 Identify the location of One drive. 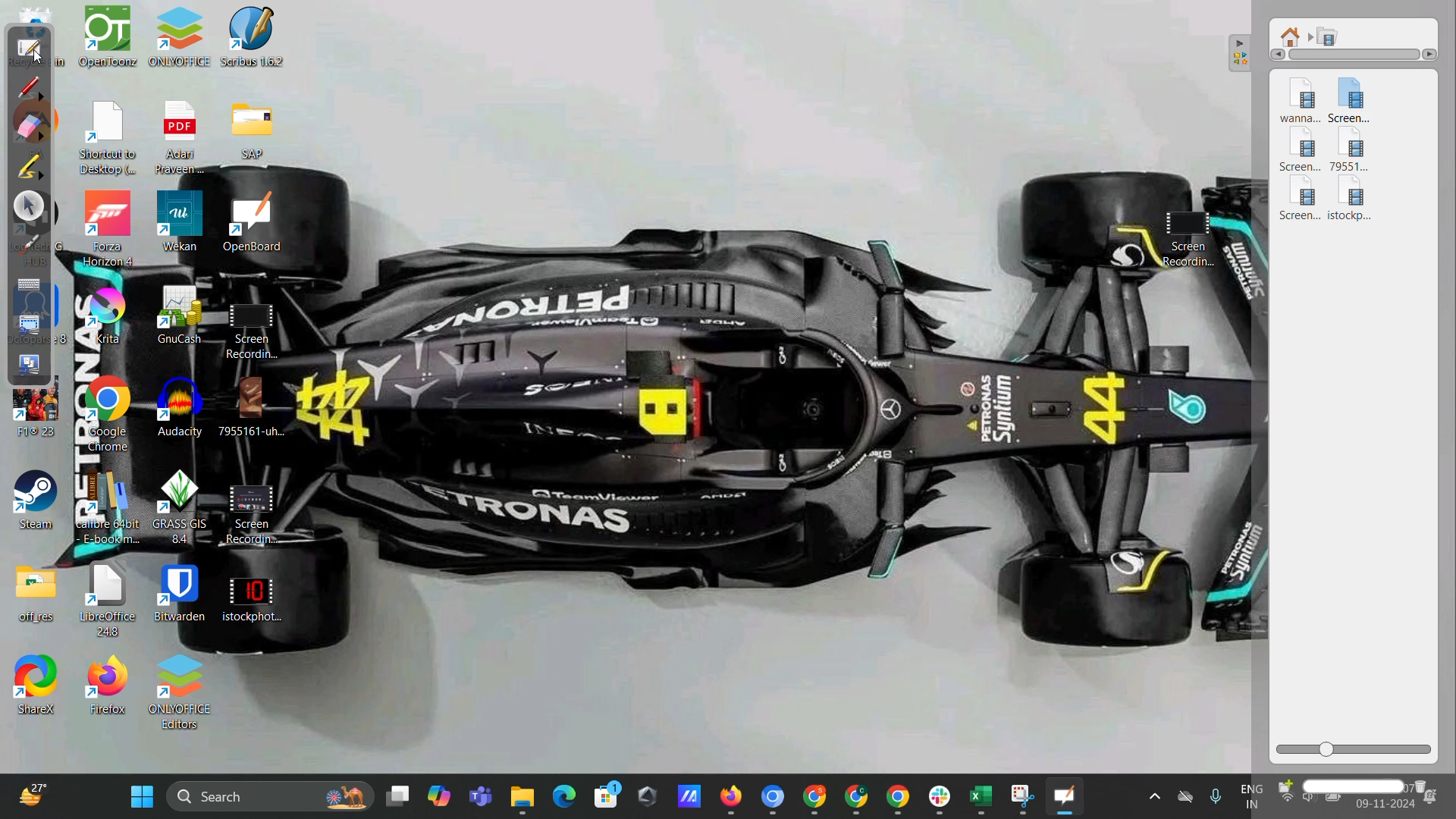
(1185, 796).